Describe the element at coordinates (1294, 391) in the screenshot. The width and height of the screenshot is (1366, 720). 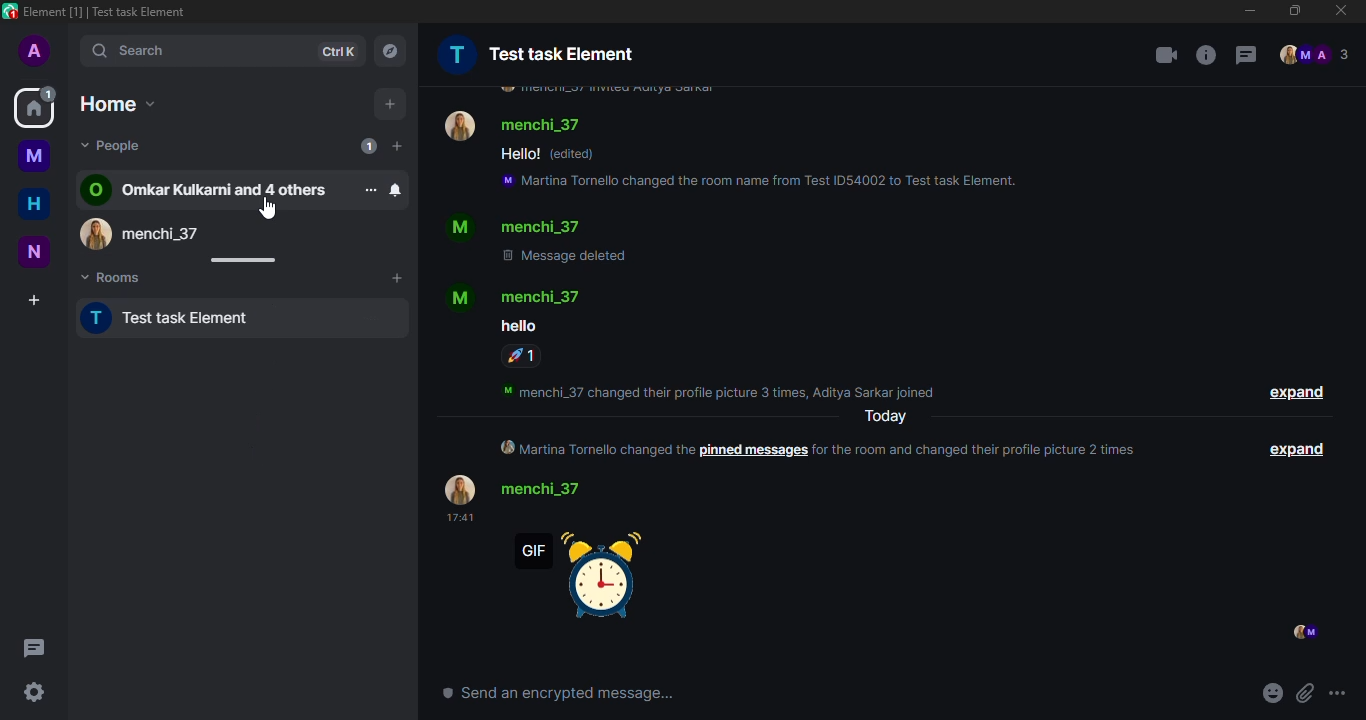
I see `expand` at that location.